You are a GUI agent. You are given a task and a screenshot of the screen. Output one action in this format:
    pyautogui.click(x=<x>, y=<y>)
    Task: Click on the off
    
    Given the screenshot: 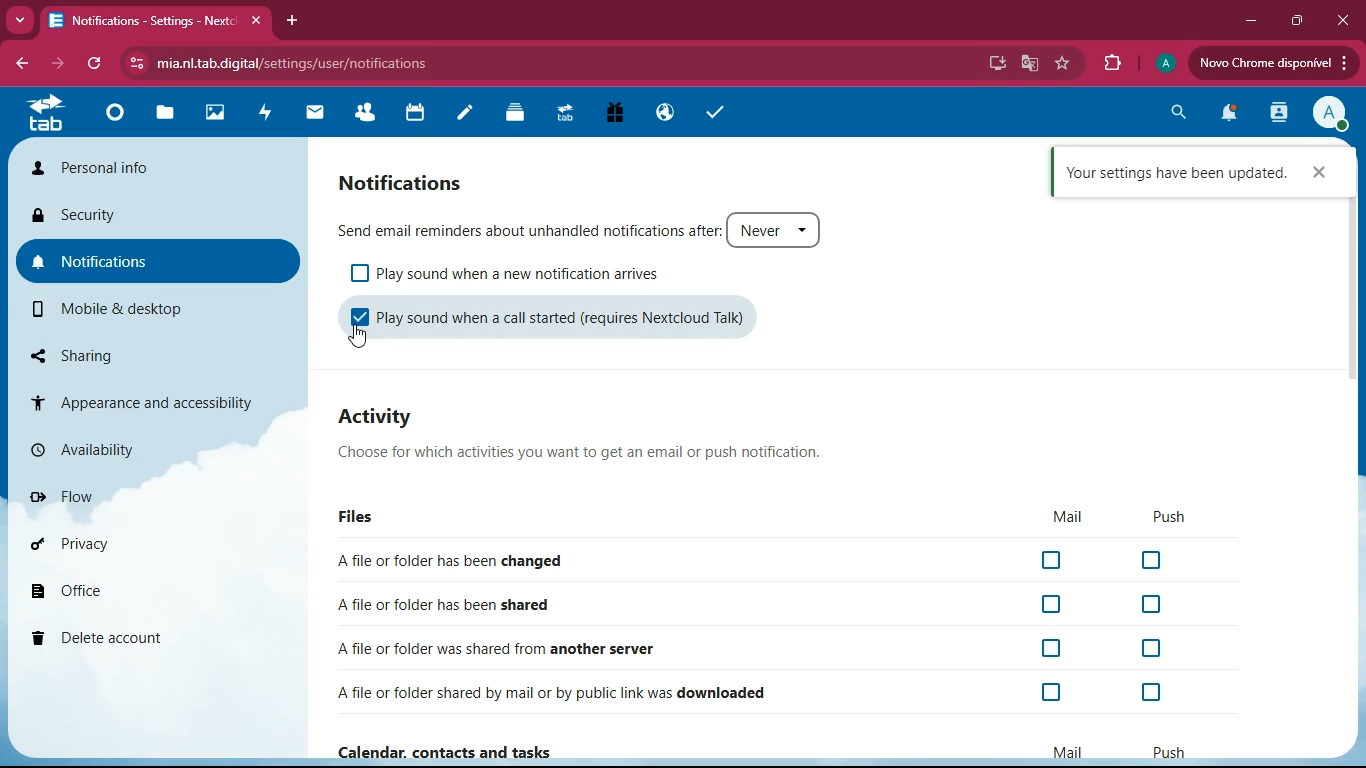 What is the action you would take?
    pyautogui.click(x=1054, y=692)
    